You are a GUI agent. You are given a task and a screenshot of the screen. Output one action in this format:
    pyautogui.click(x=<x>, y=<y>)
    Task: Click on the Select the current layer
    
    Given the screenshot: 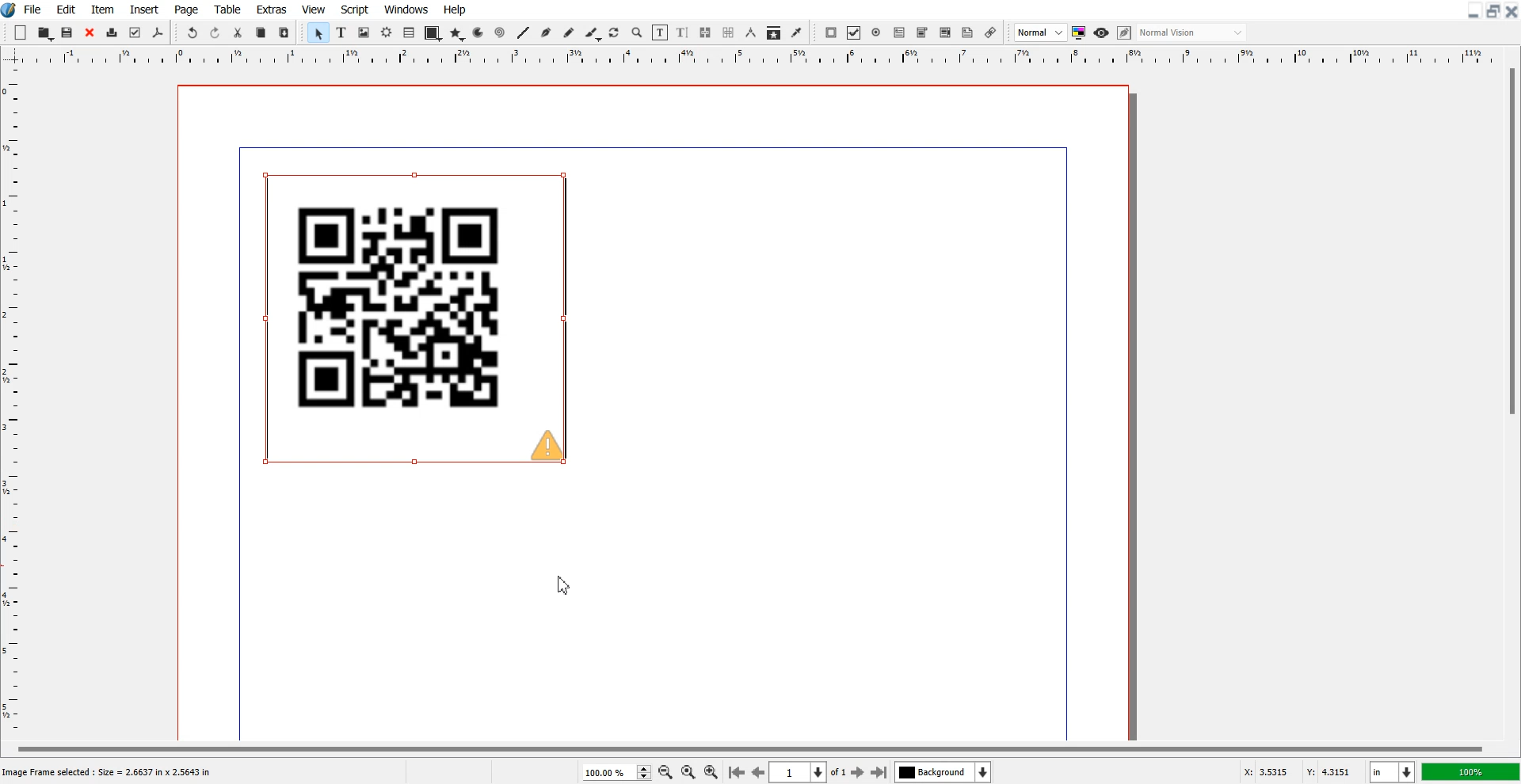 What is the action you would take?
    pyautogui.click(x=943, y=771)
    